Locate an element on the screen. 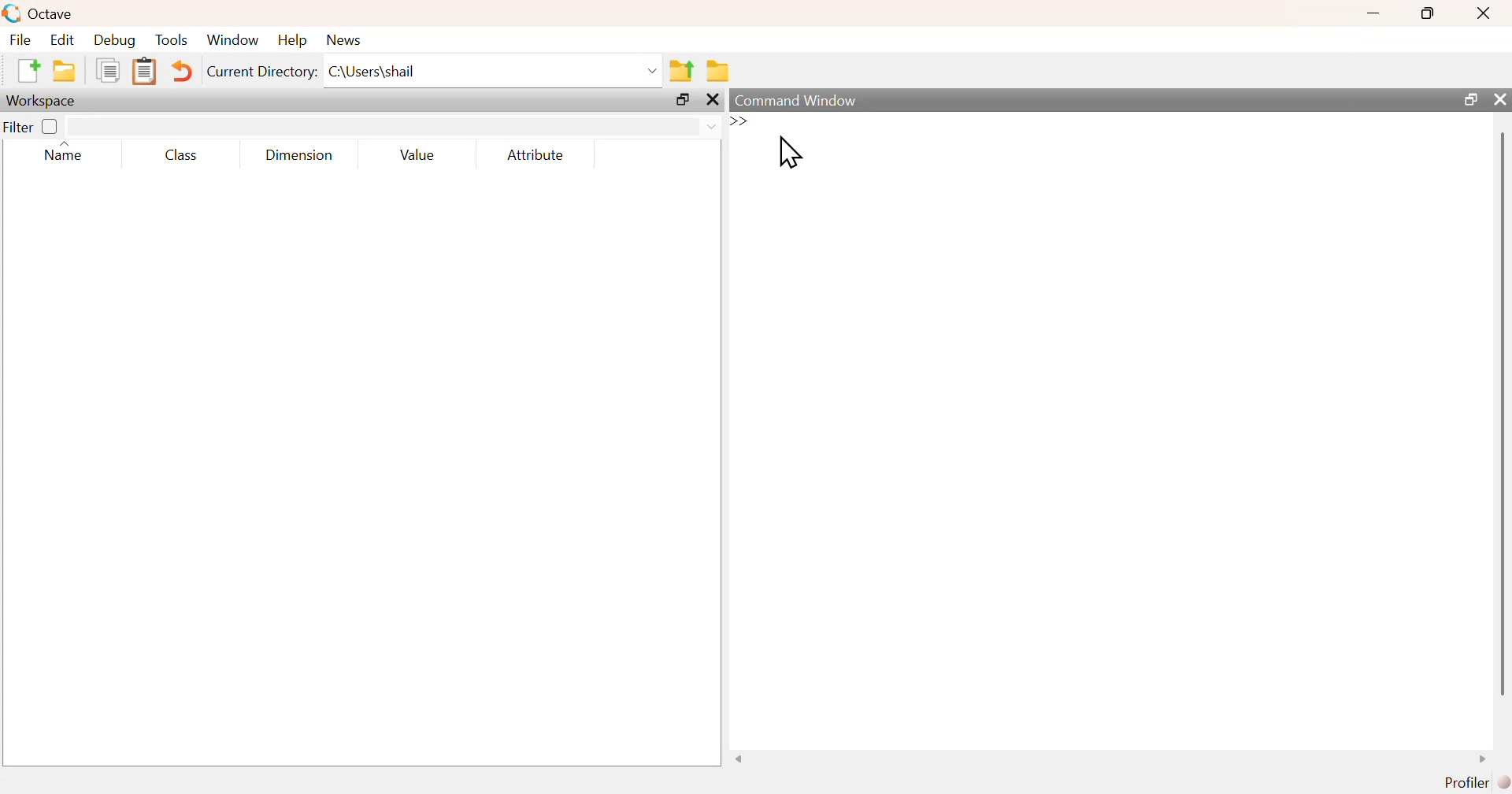  Profiler is located at coordinates (1477, 783).